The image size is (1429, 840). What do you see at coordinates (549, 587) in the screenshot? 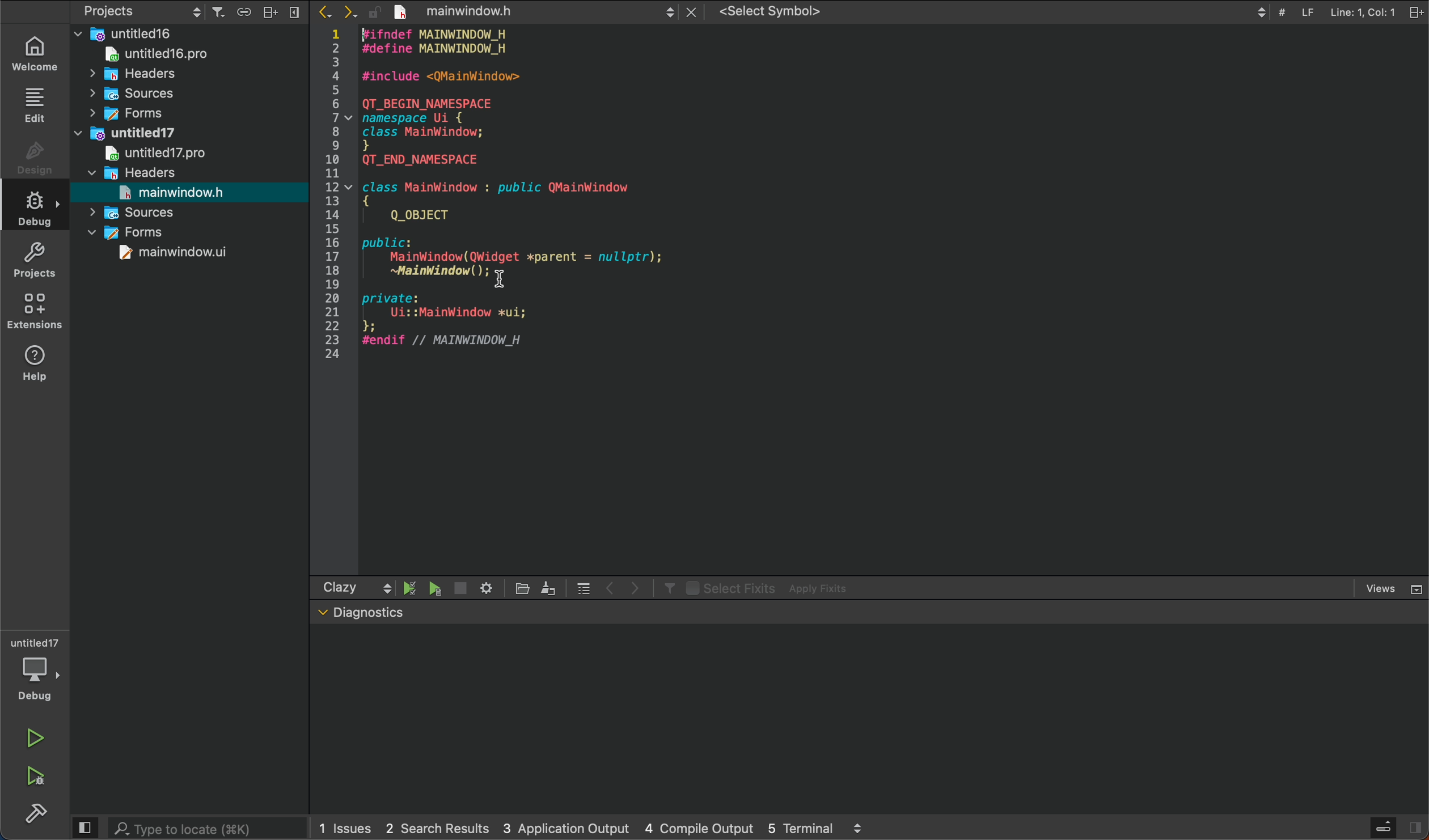
I see `edit` at bounding box center [549, 587].